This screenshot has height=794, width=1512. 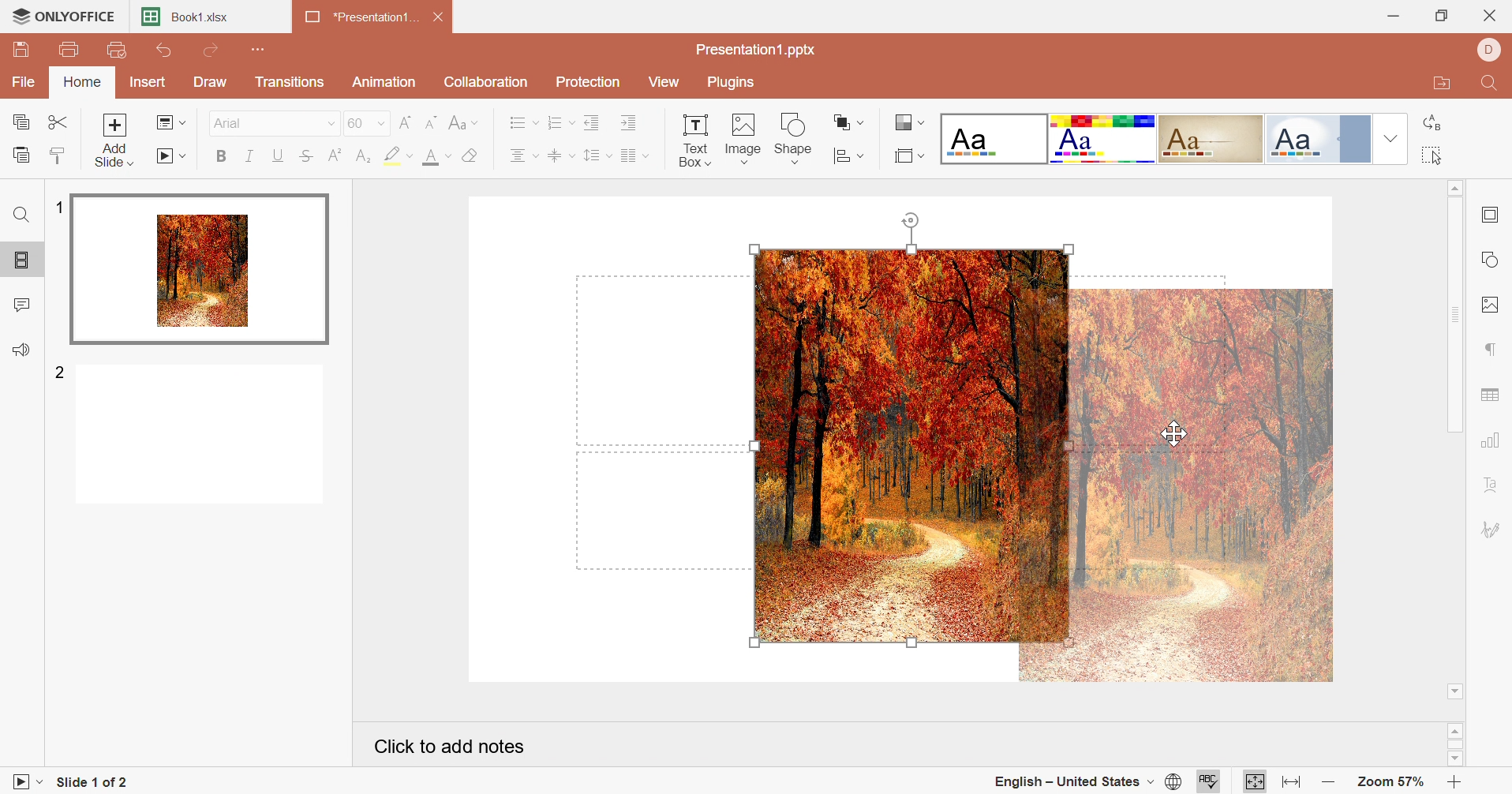 I want to click on Image settings, so click(x=1489, y=305).